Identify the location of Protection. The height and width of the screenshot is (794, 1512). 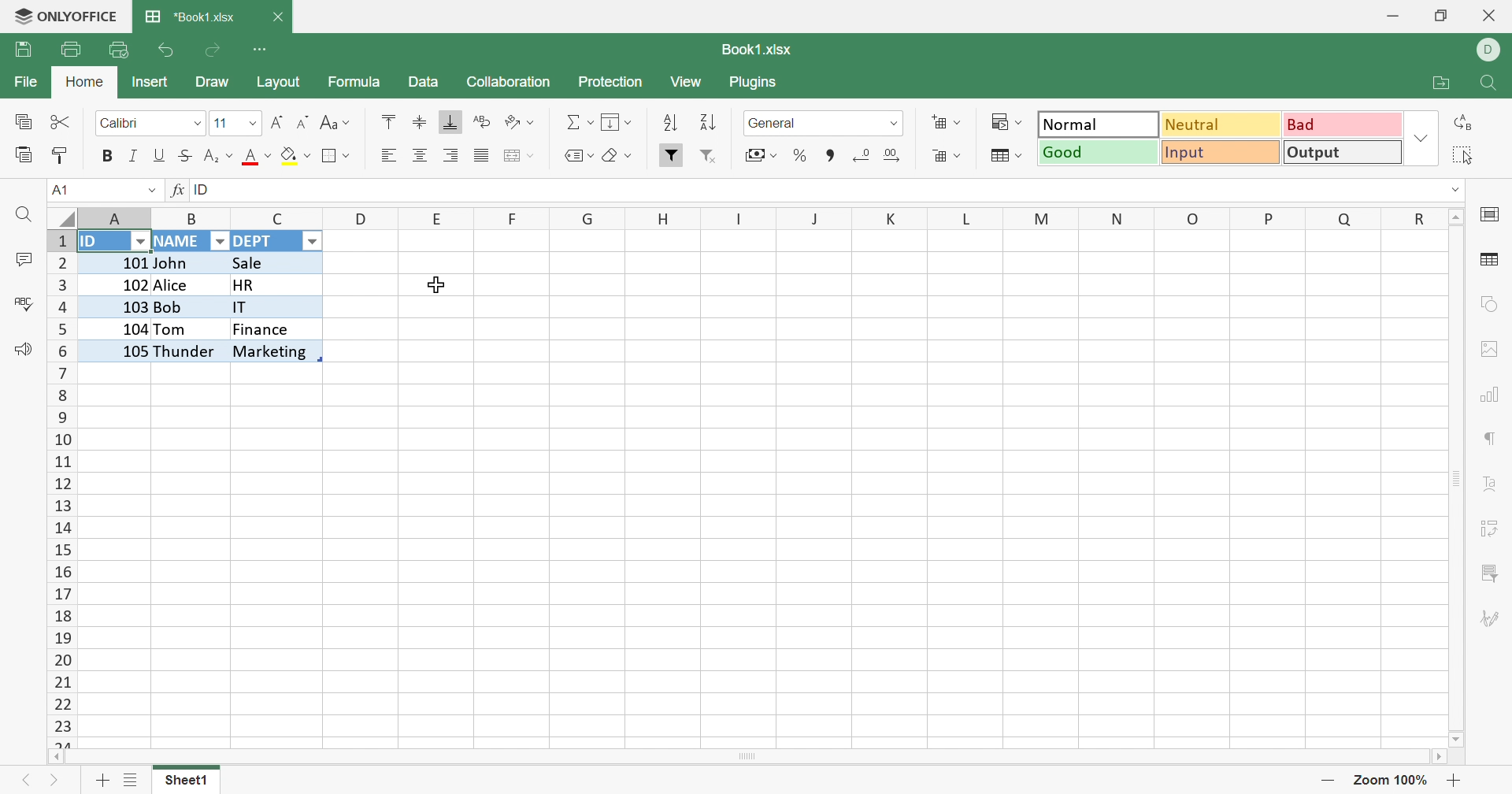
(613, 79).